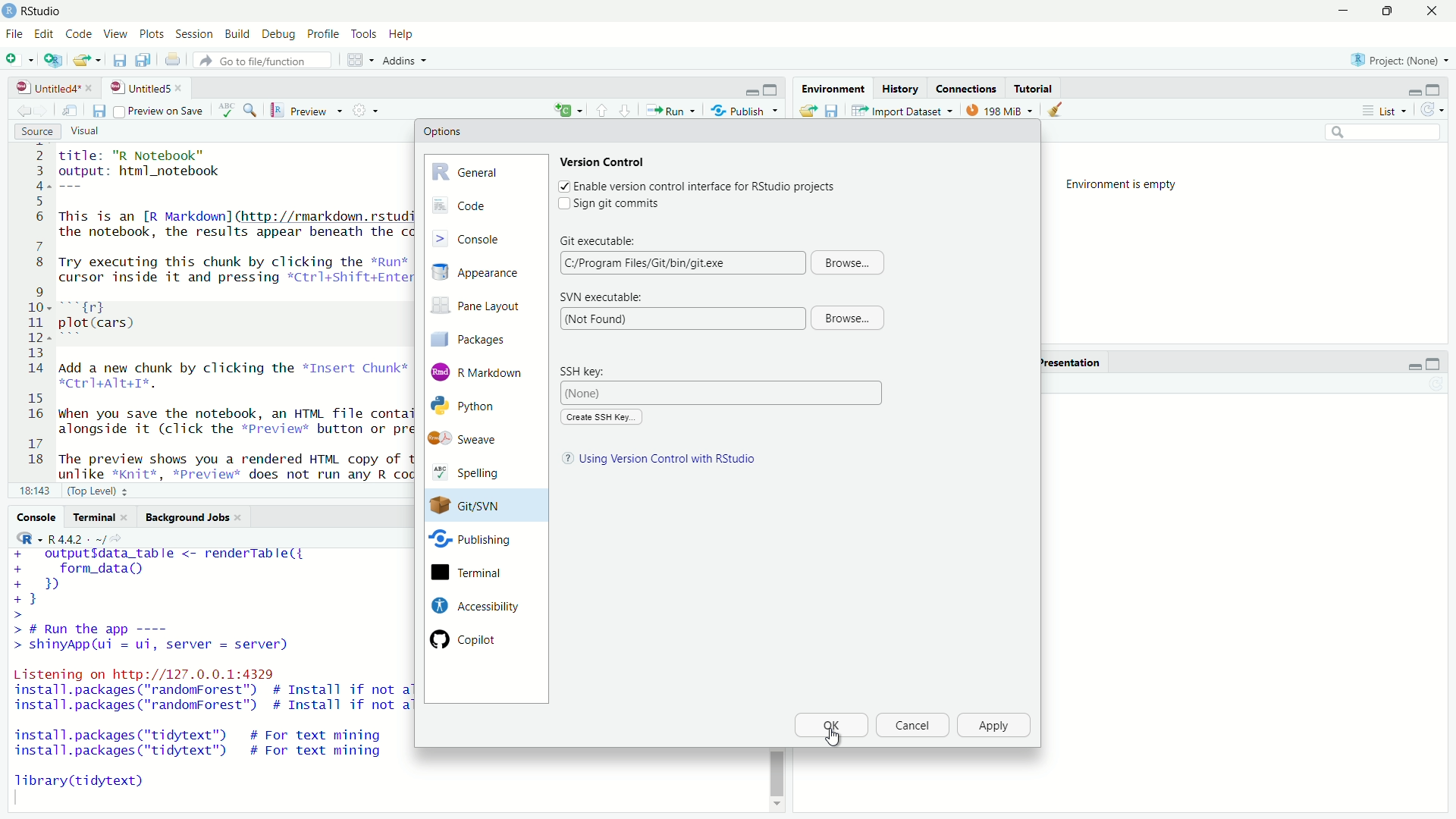  Describe the element at coordinates (266, 61) in the screenshot. I see `Go to file/function` at that location.